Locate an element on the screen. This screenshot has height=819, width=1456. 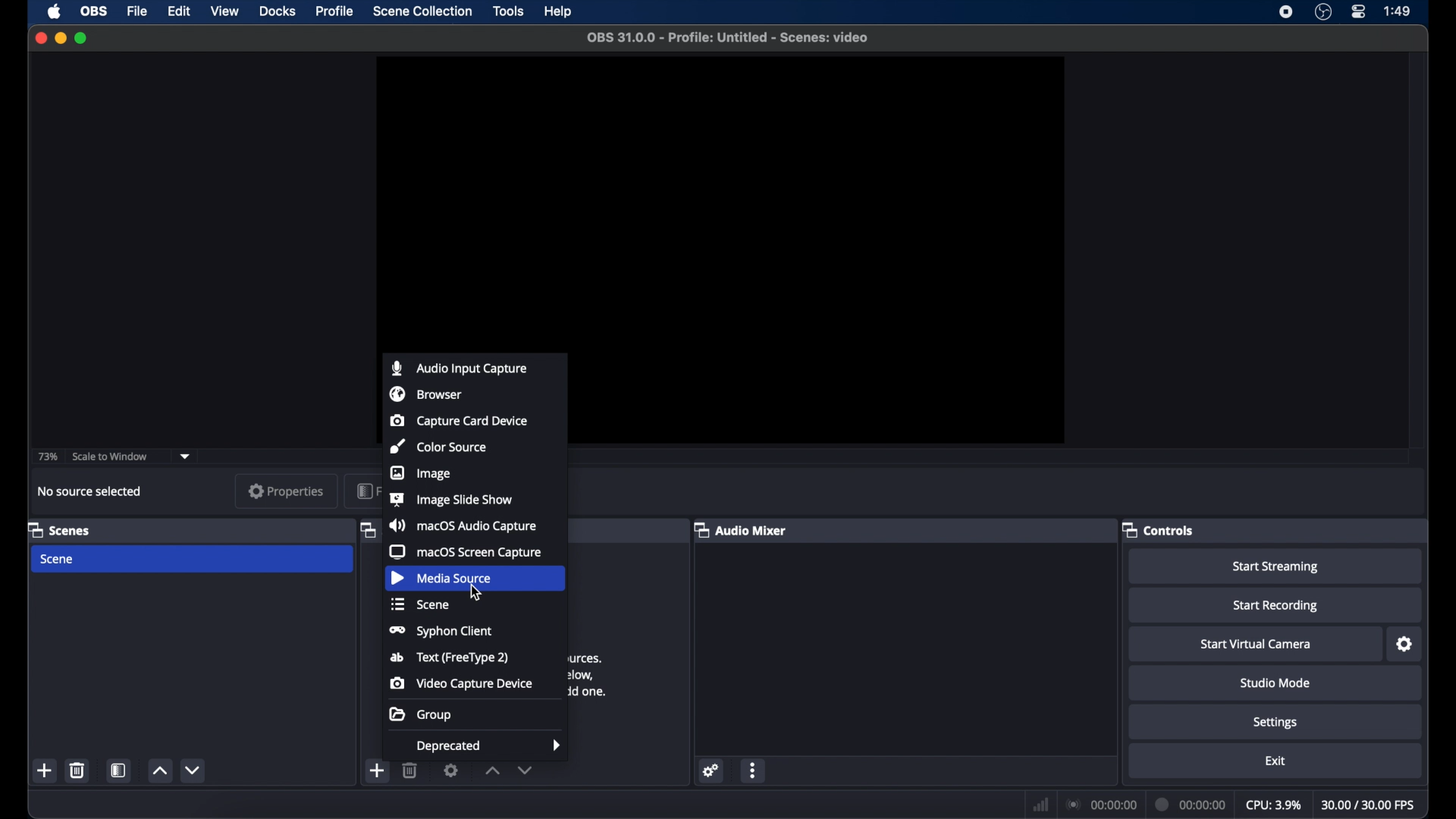
edit is located at coordinates (178, 11).